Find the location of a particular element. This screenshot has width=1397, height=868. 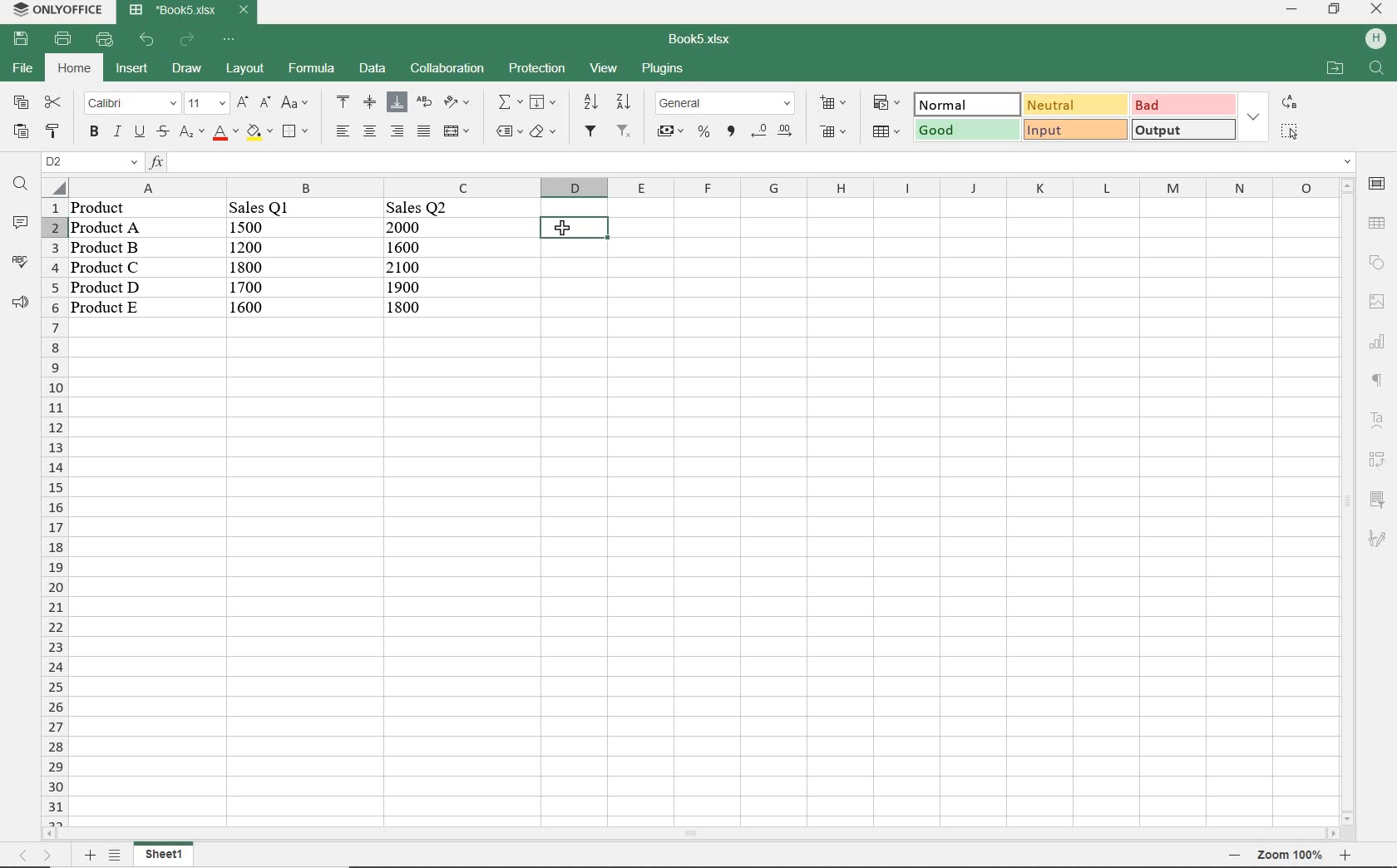

justified is located at coordinates (422, 131).